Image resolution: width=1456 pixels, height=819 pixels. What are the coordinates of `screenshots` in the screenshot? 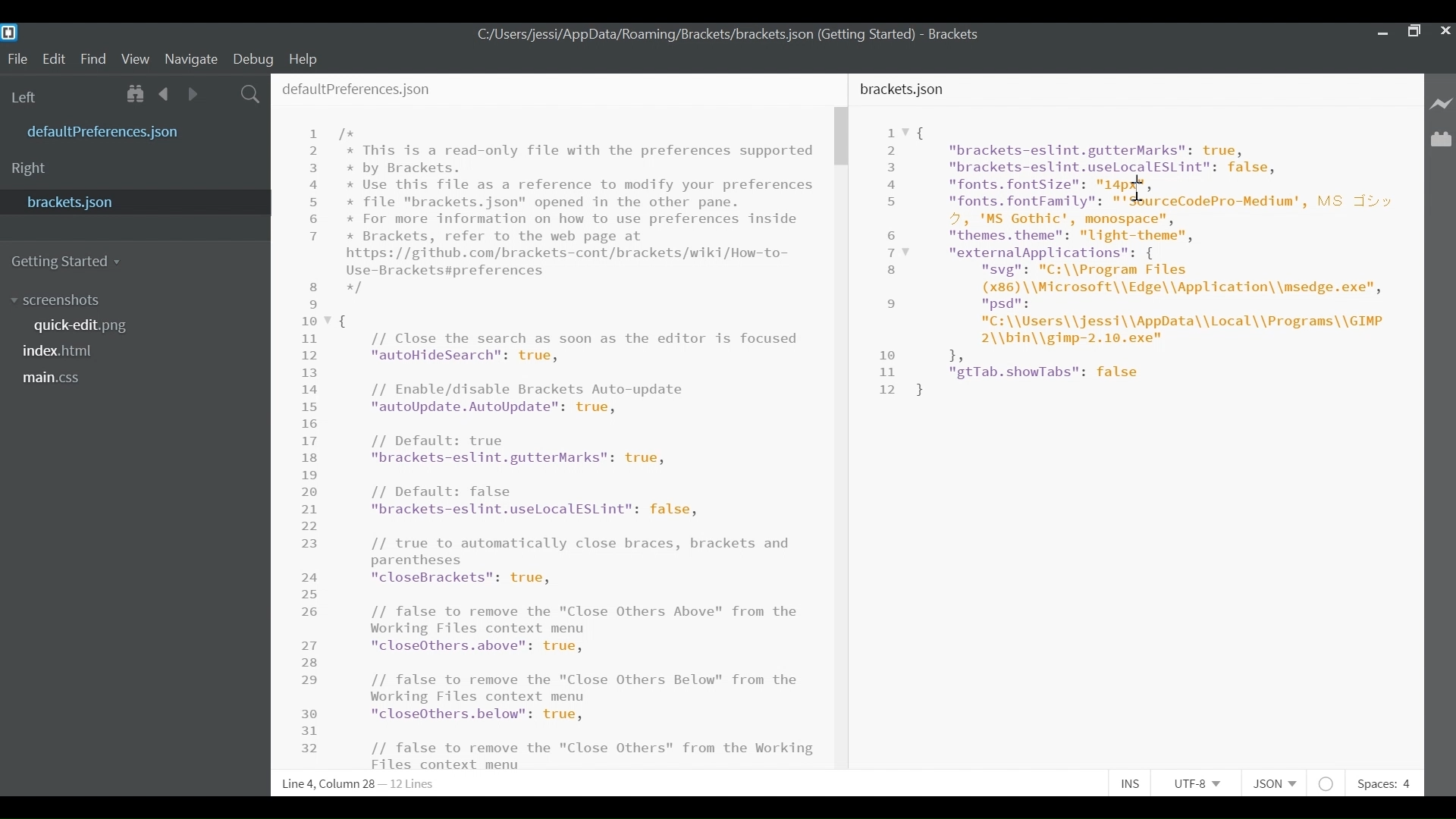 It's located at (55, 300).